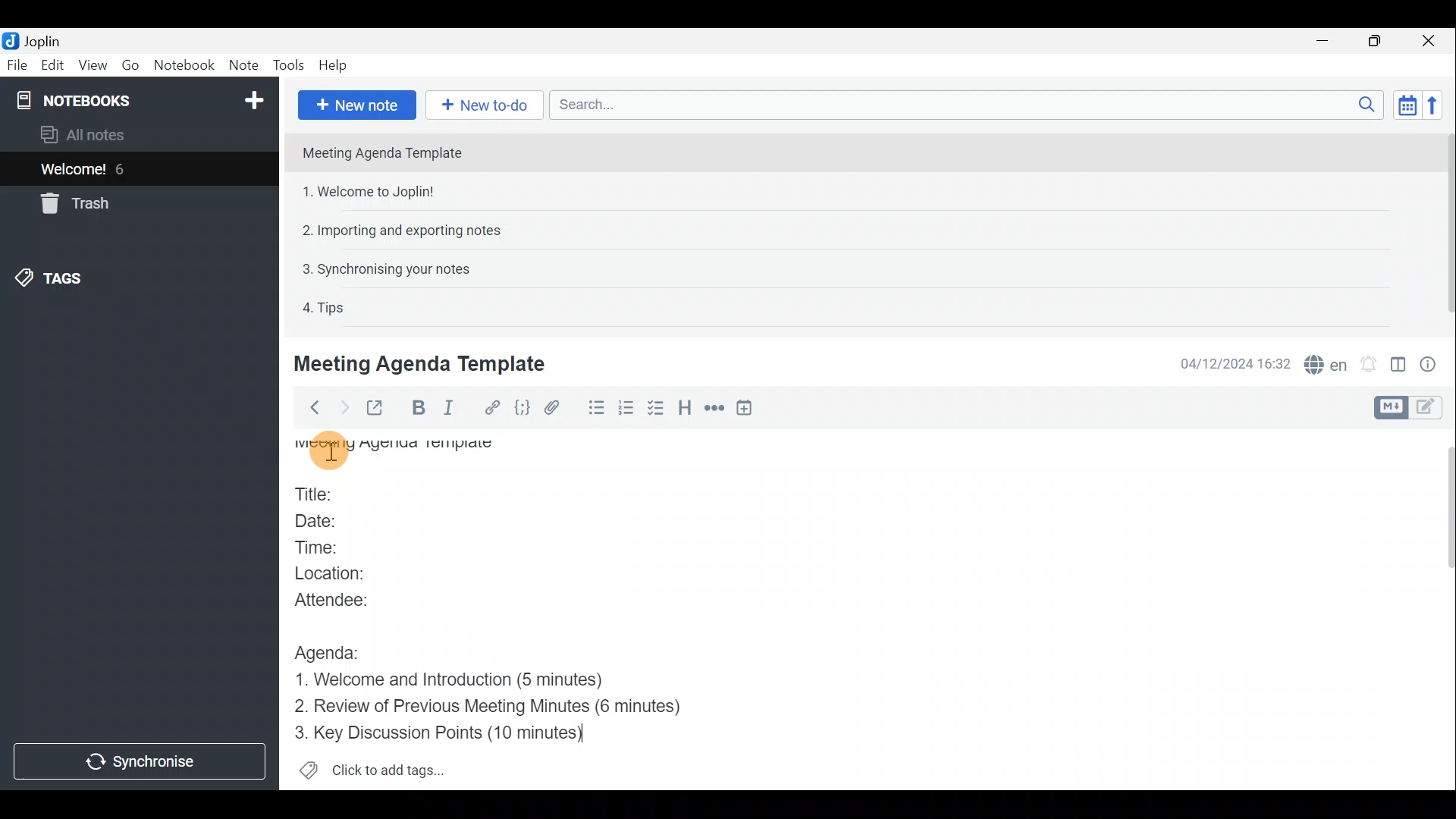 The image size is (1456, 819). Describe the element at coordinates (373, 191) in the screenshot. I see `1. Welcome to Joplin!` at that location.